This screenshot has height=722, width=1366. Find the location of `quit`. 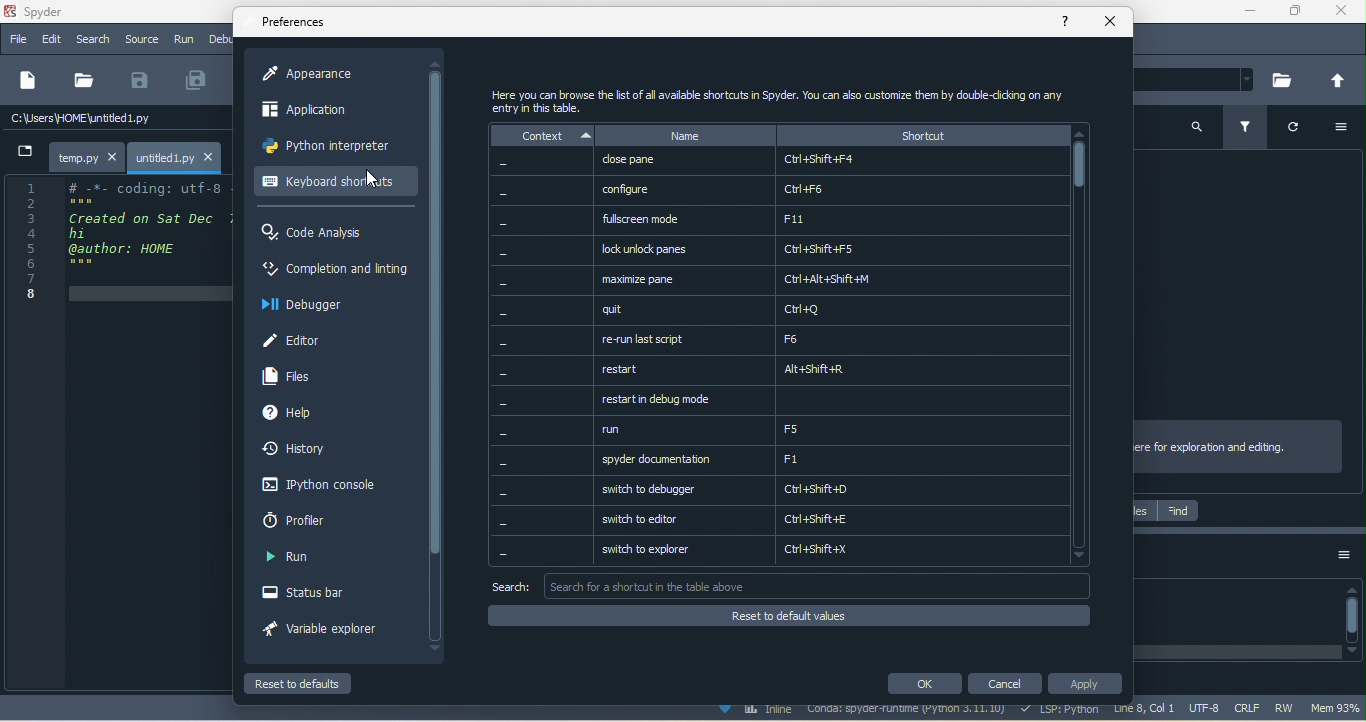

quit is located at coordinates (828, 310).